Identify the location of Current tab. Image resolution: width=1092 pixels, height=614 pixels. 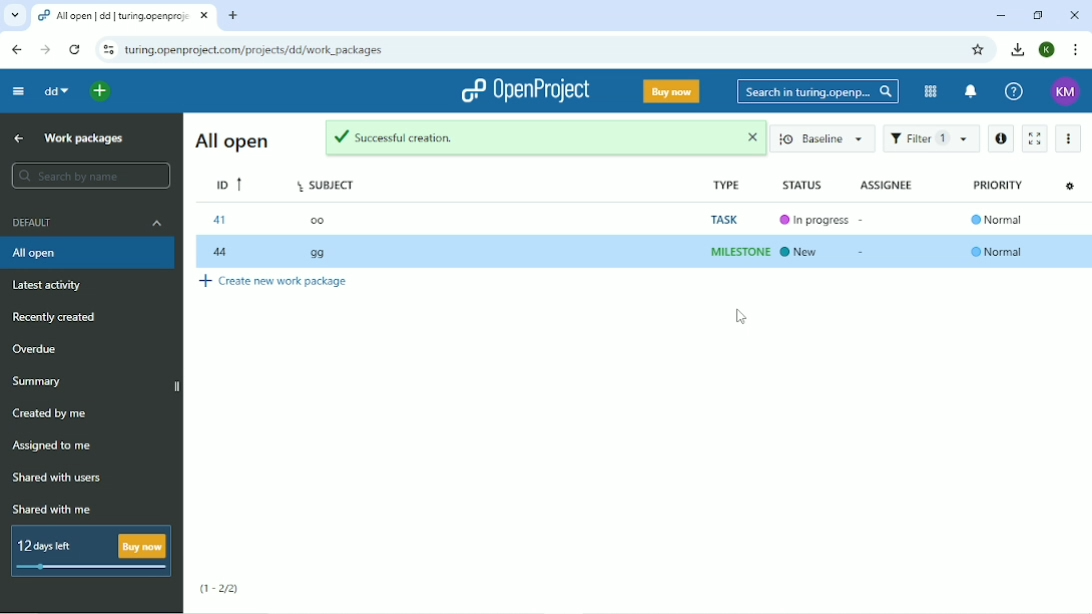
(124, 16).